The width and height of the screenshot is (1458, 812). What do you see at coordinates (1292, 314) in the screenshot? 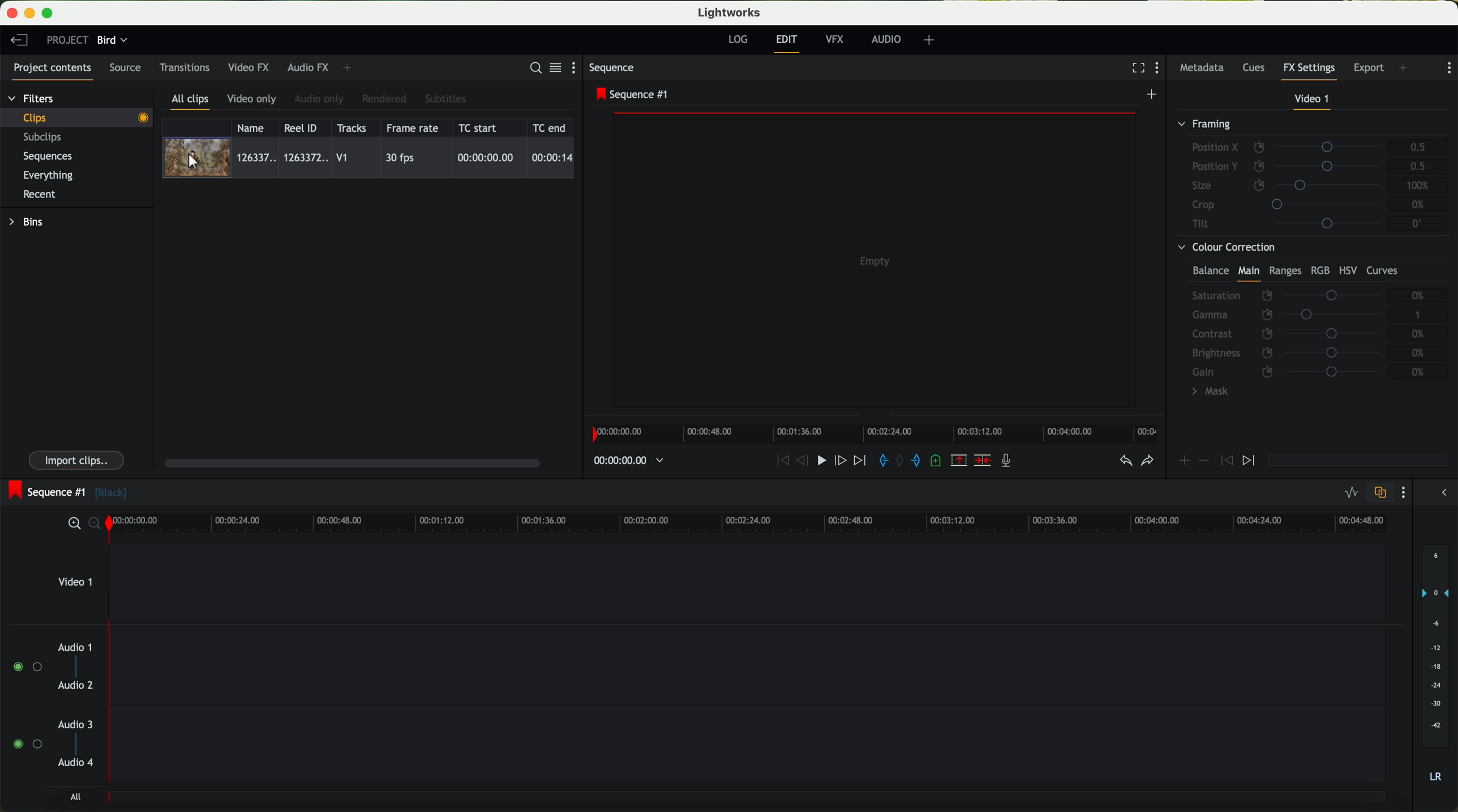
I see `gamma` at bounding box center [1292, 314].